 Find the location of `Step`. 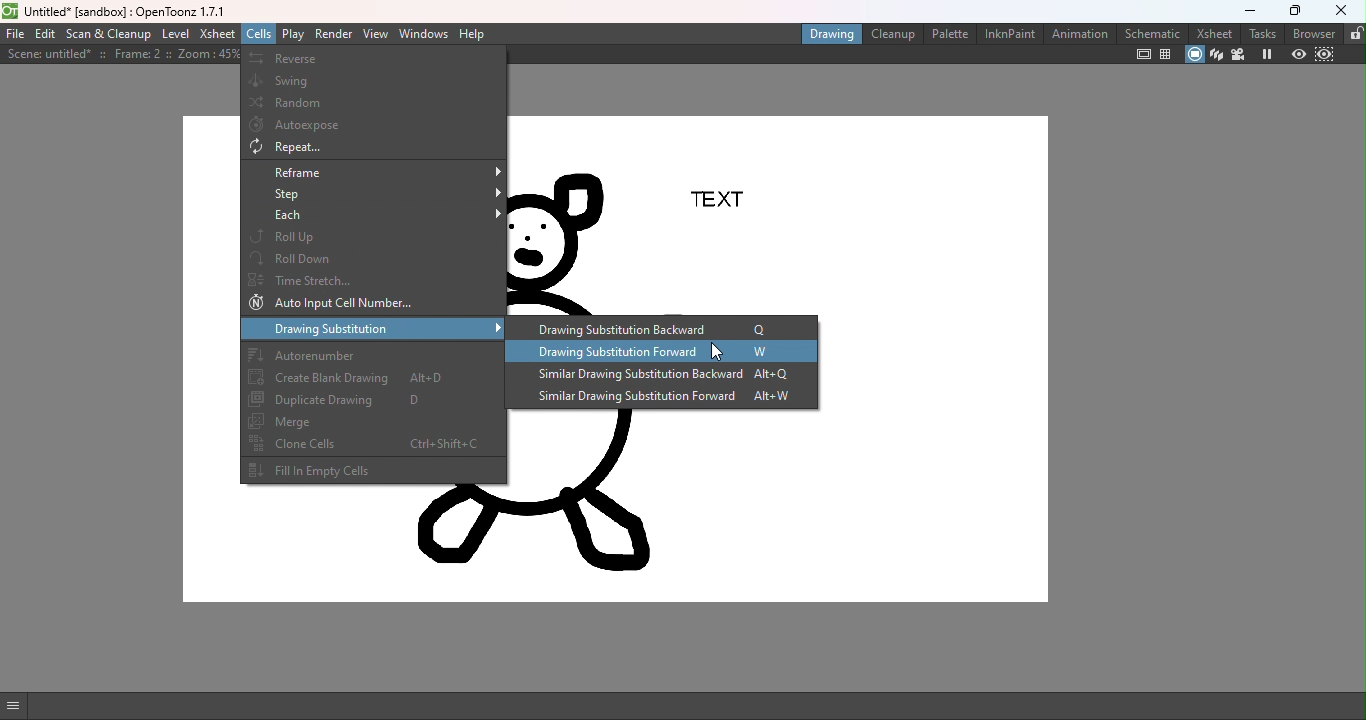

Step is located at coordinates (378, 194).